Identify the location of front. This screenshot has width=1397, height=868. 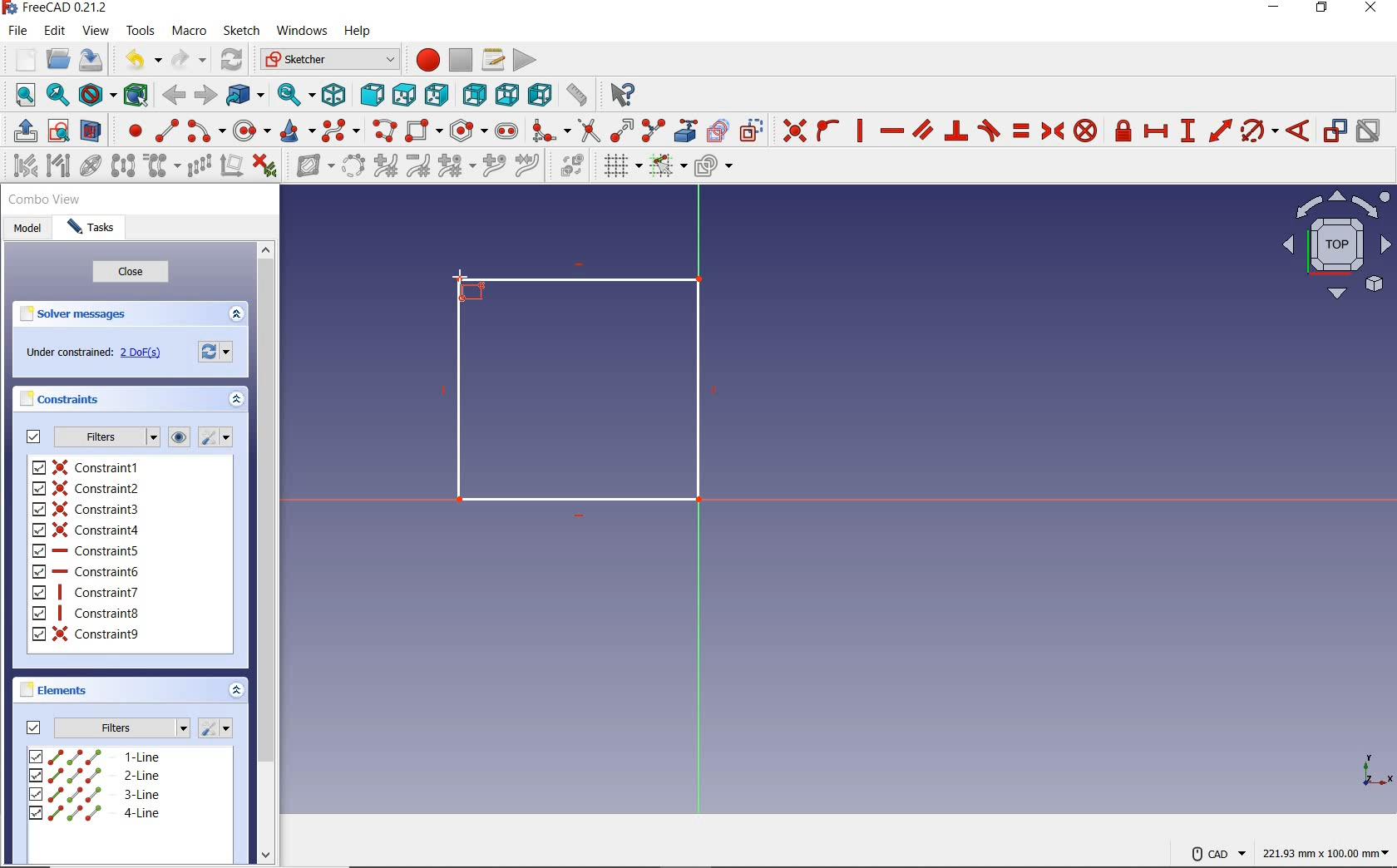
(370, 96).